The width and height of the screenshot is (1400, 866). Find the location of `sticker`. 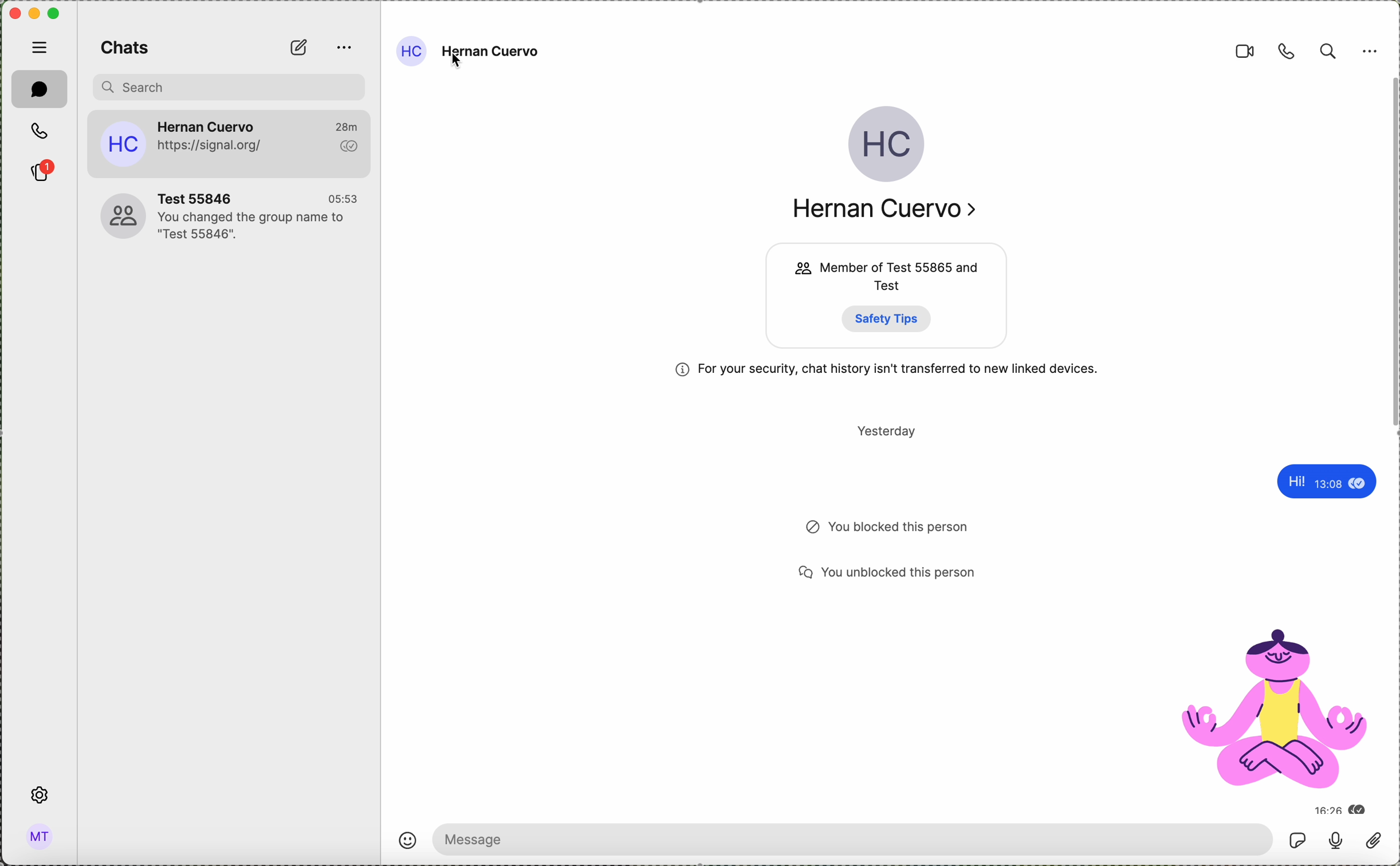

sticker is located at coordinates (1276, 707).